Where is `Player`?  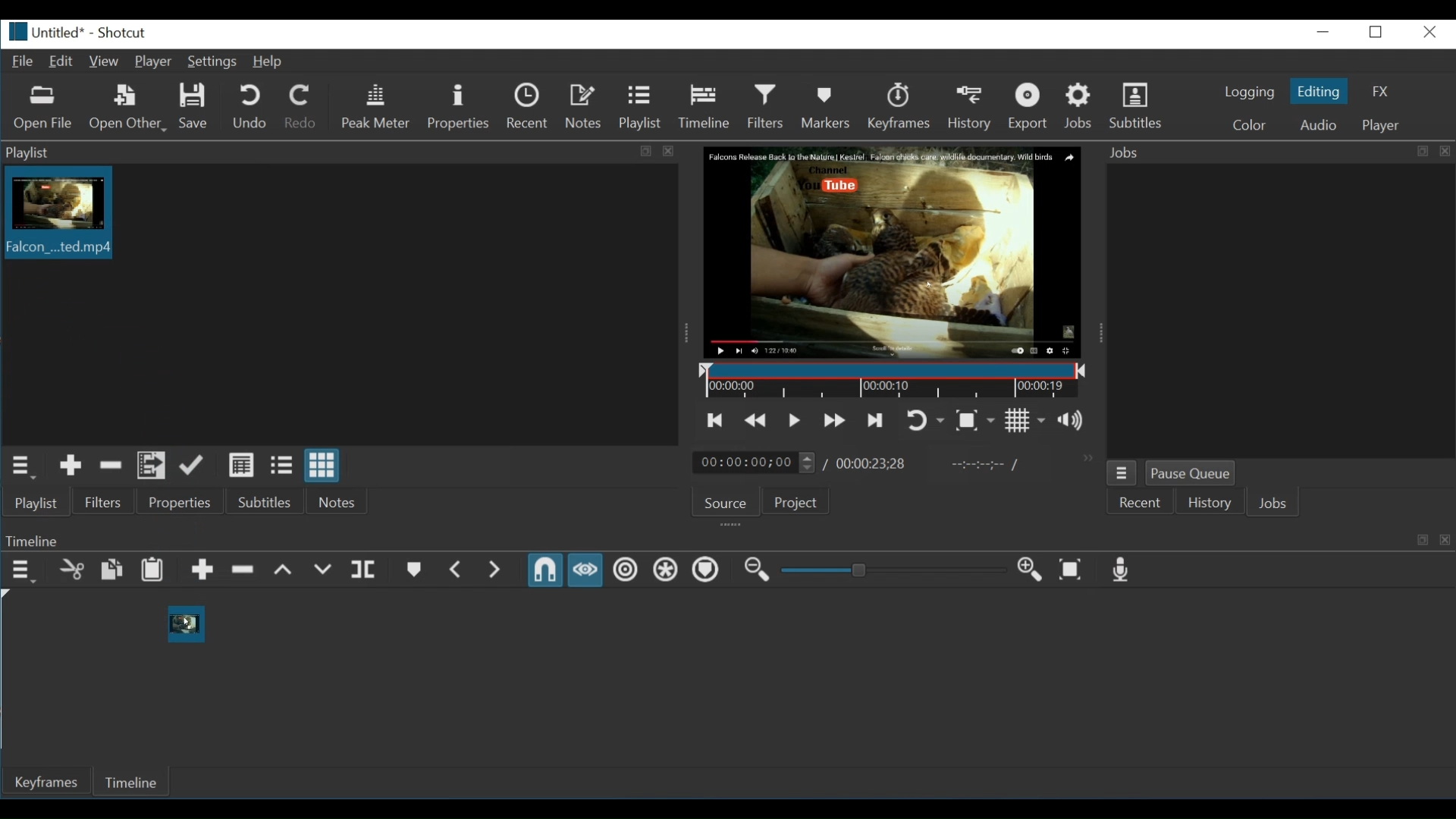
Player is located at coordinates (1379, 126).